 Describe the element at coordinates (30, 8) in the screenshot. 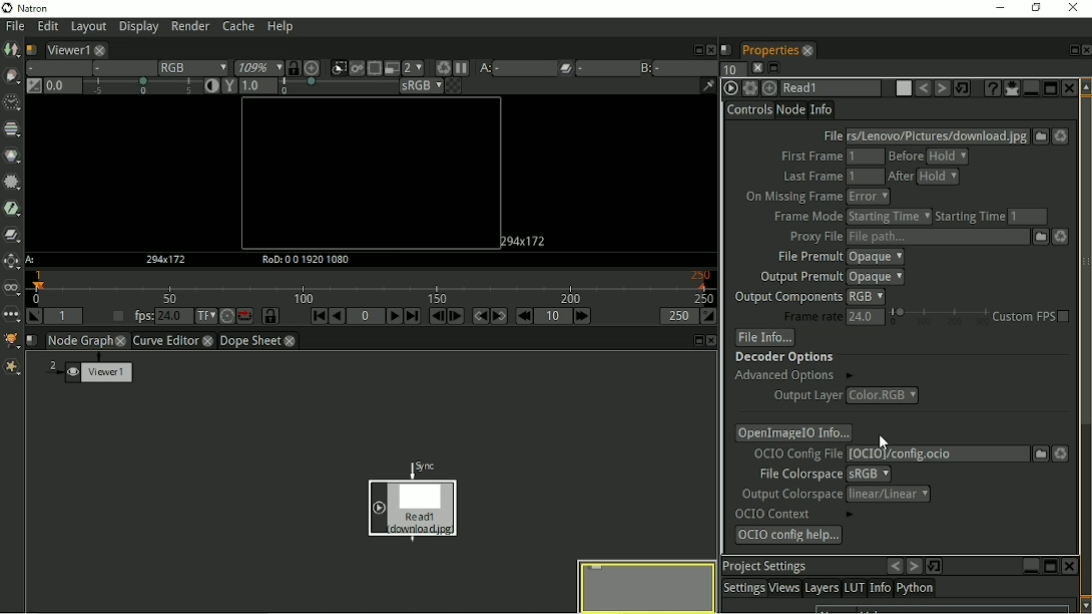

I see `Natron` at that location.